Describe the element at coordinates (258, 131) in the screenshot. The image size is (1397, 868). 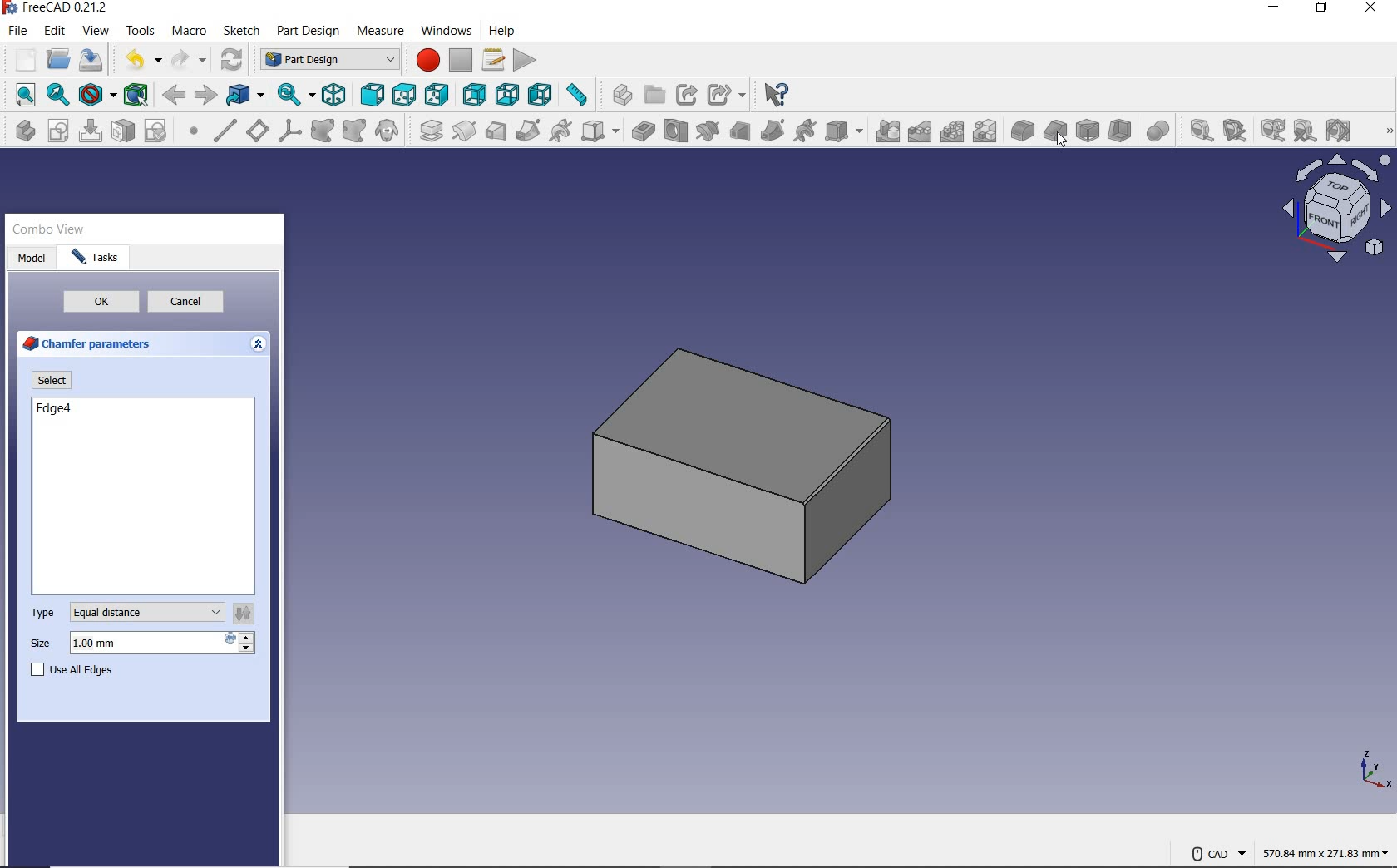
I see `create a datum plane` at that location.